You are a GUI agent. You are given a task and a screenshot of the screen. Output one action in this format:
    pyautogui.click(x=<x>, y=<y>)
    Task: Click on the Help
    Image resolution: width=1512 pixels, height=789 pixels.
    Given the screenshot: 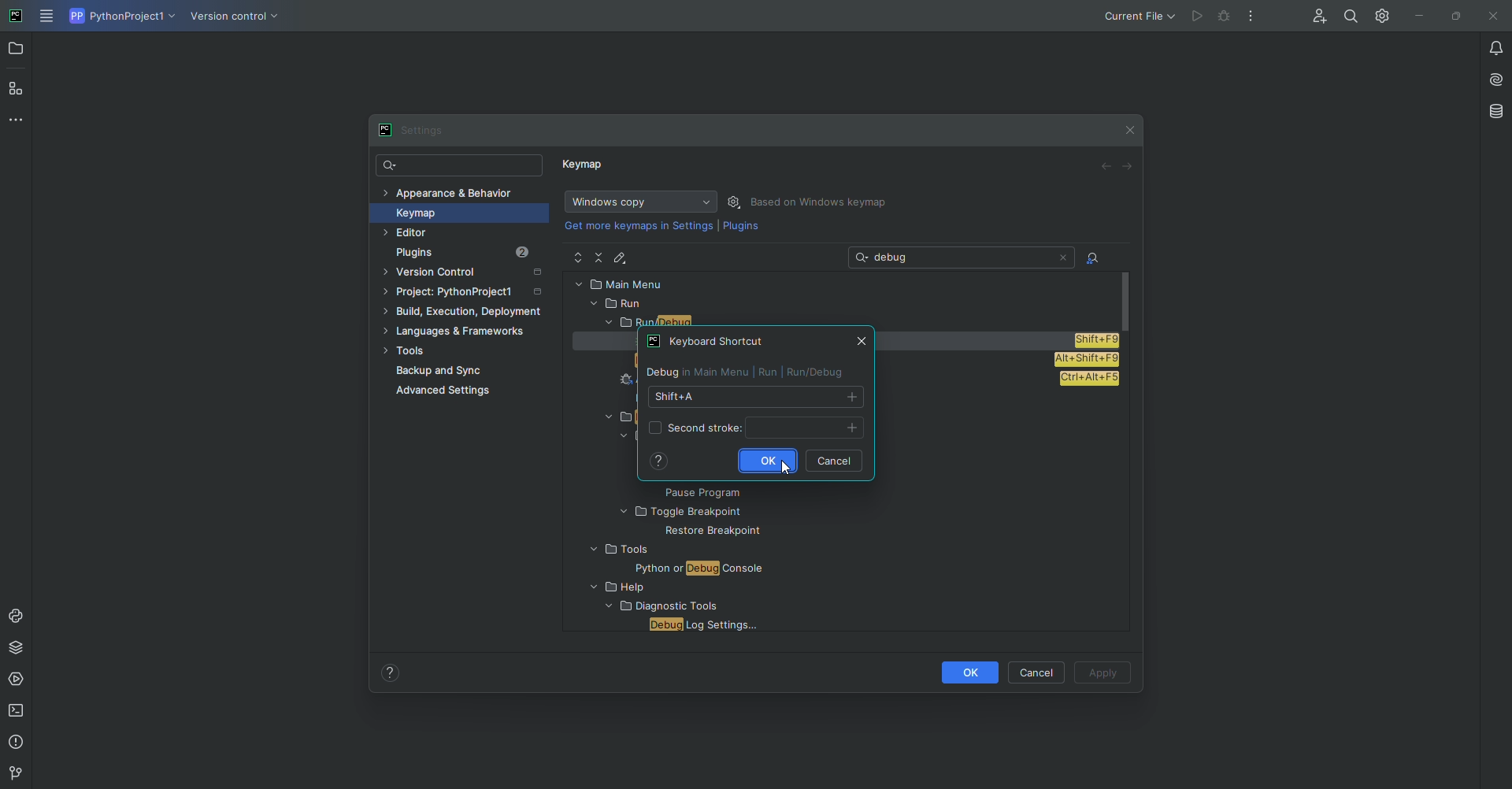 What is the action you would take?
    pyautogui.click(x=391, y=672)
    